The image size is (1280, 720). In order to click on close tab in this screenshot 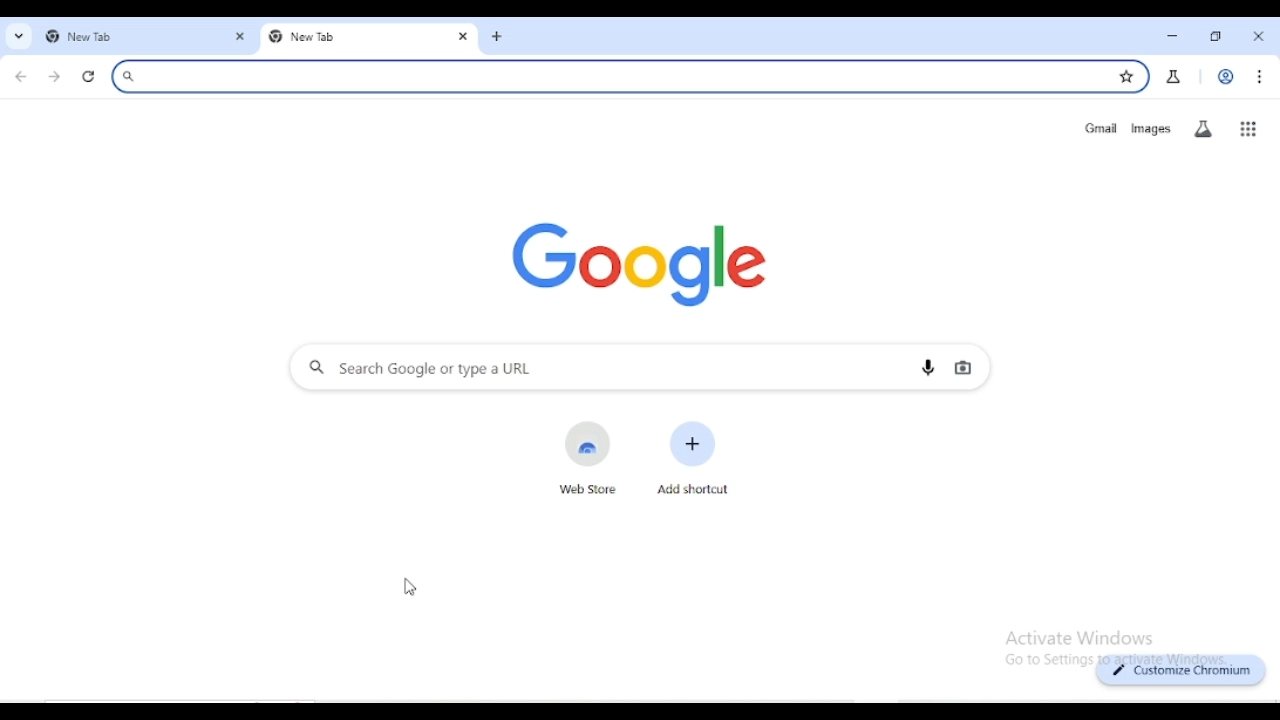, I will do `click(240, 38)`.